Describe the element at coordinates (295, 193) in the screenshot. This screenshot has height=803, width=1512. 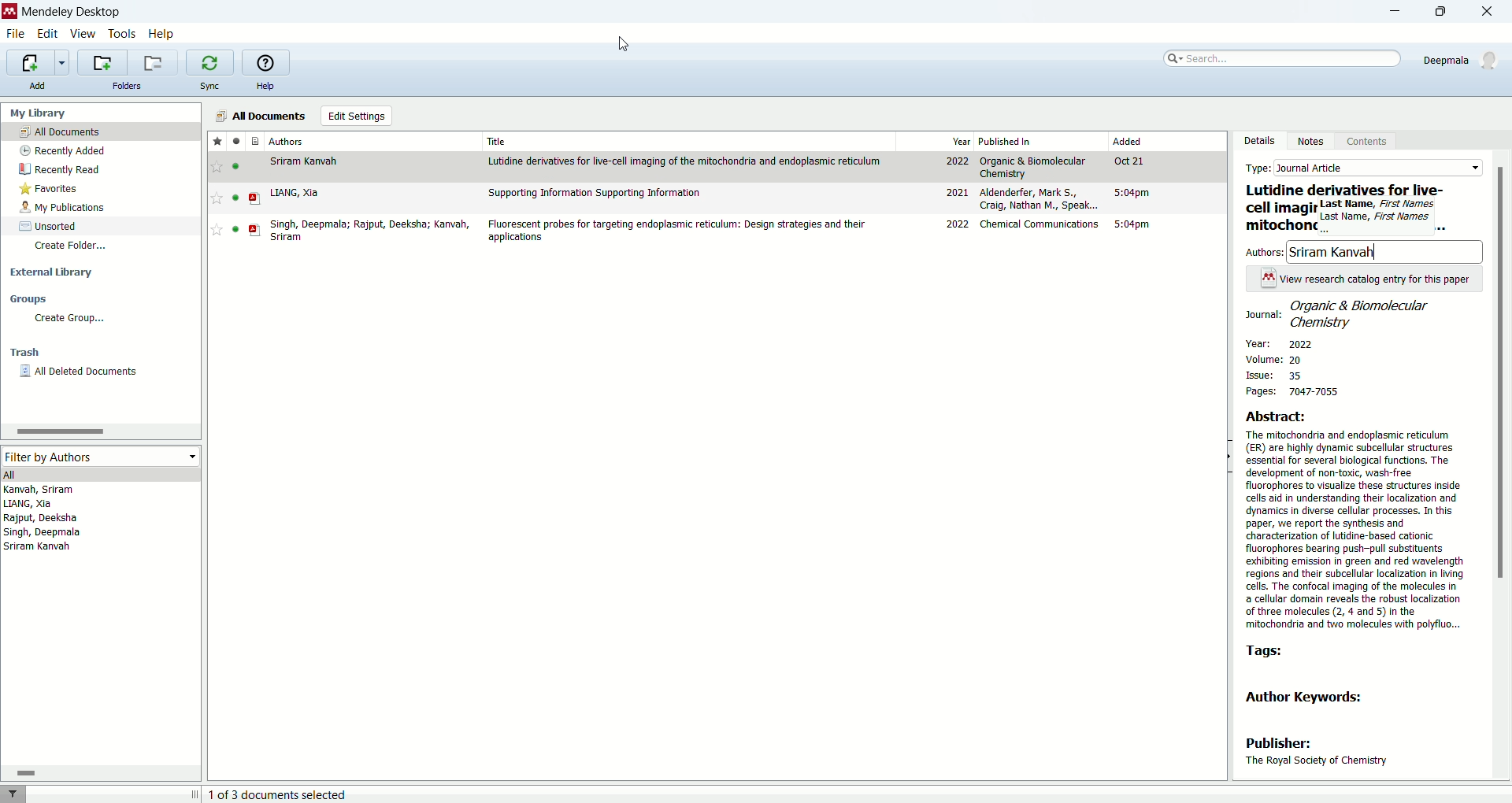
I see `LIANG, Xia` at that location.